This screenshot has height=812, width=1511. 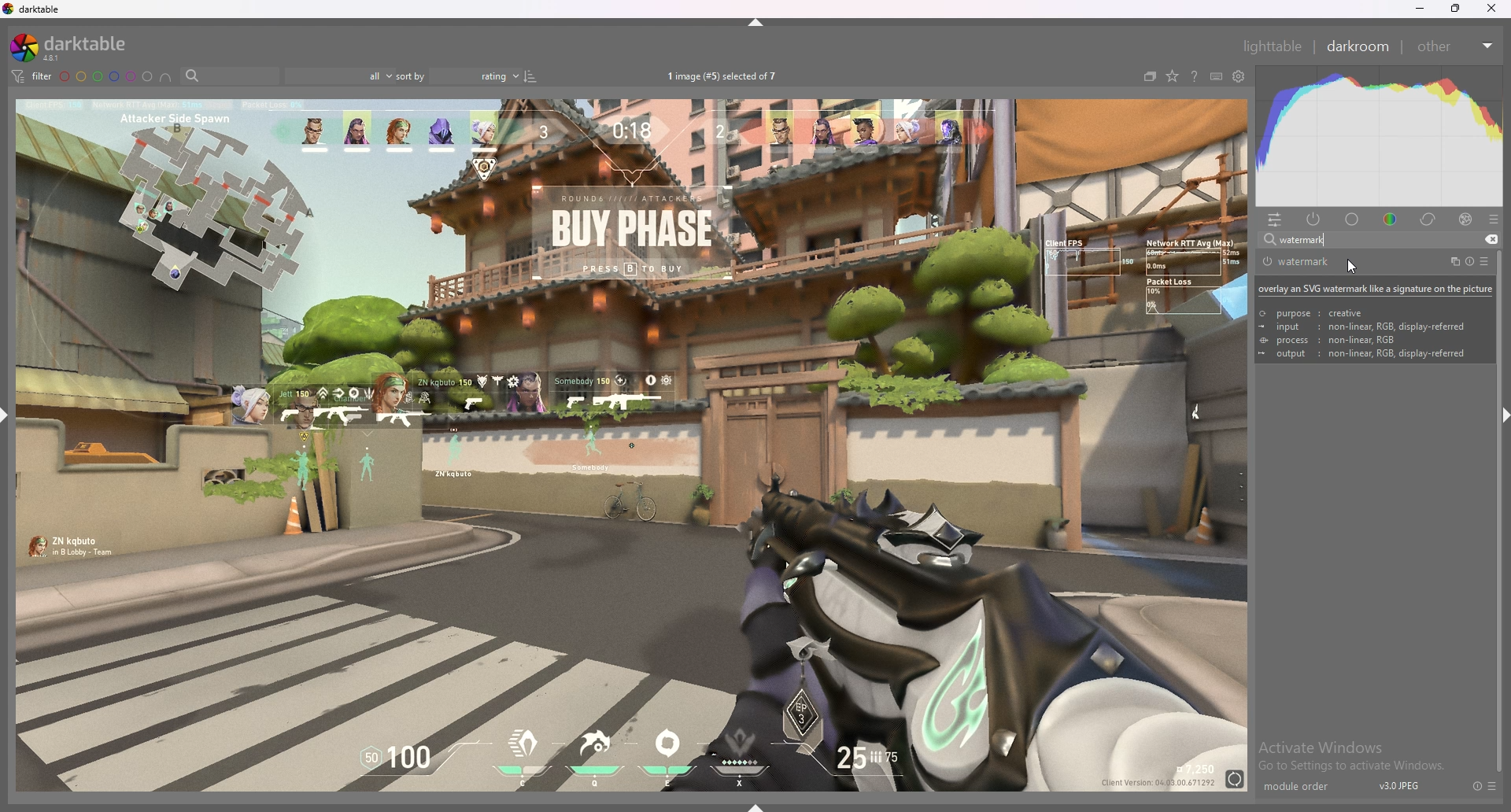 What do you see at coordinates (1450, 262) in the screenshot?
I see `multiple instances action` at bounding box center [1450, 262].